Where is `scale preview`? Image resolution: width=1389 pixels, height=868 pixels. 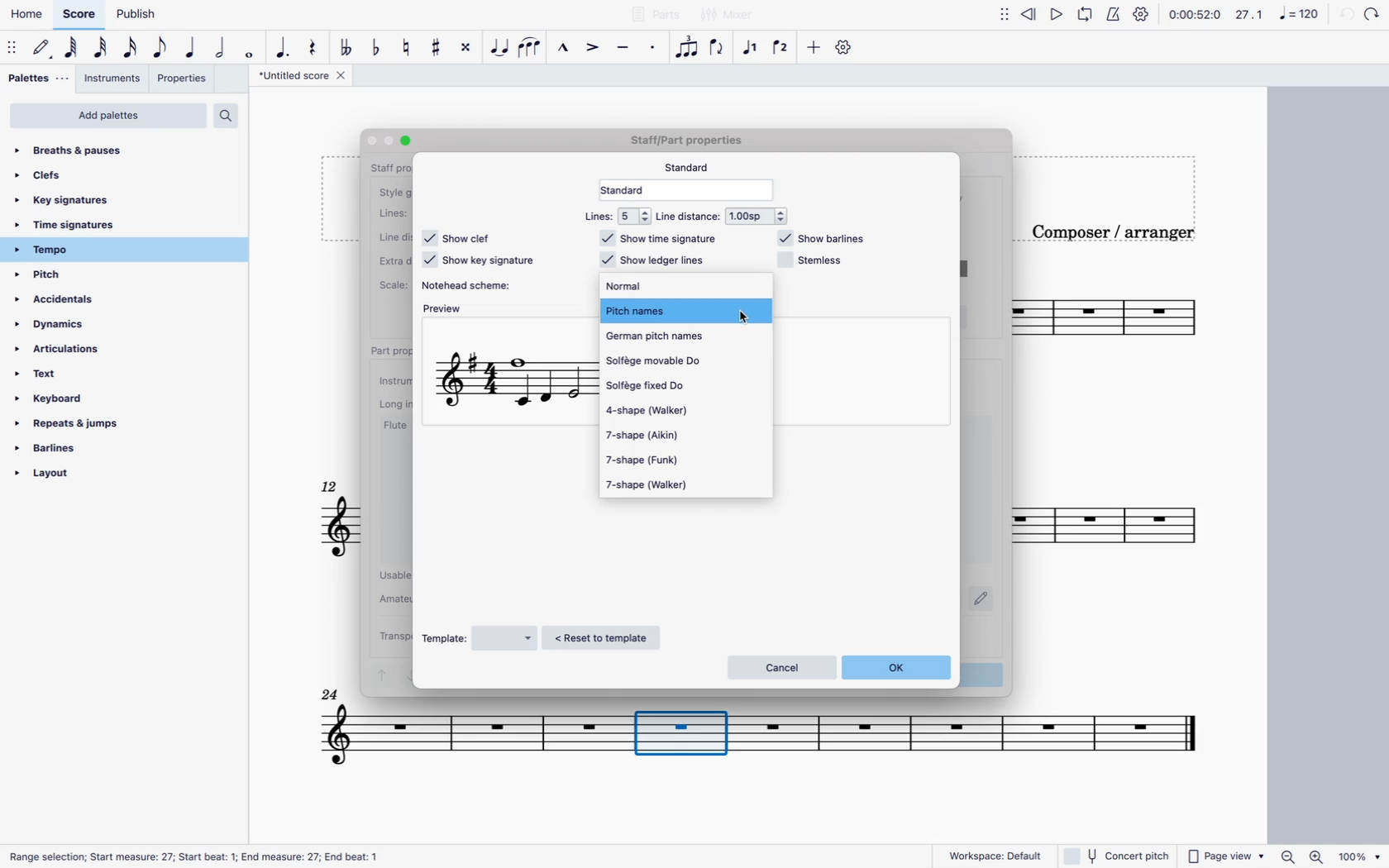 scale preview is located at coordinates (513, 384).